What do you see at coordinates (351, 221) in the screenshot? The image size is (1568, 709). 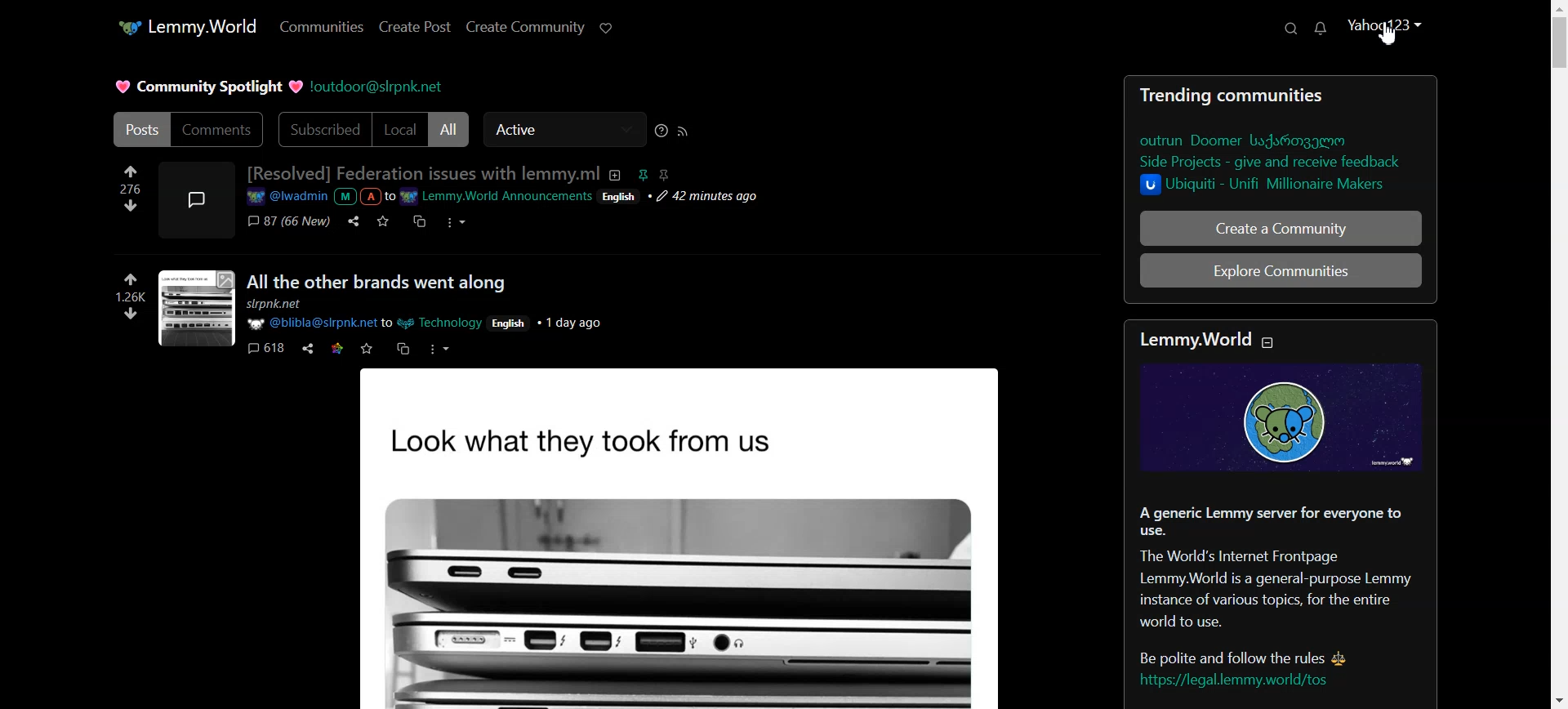 I see `share` at bounding box center [351, 221].